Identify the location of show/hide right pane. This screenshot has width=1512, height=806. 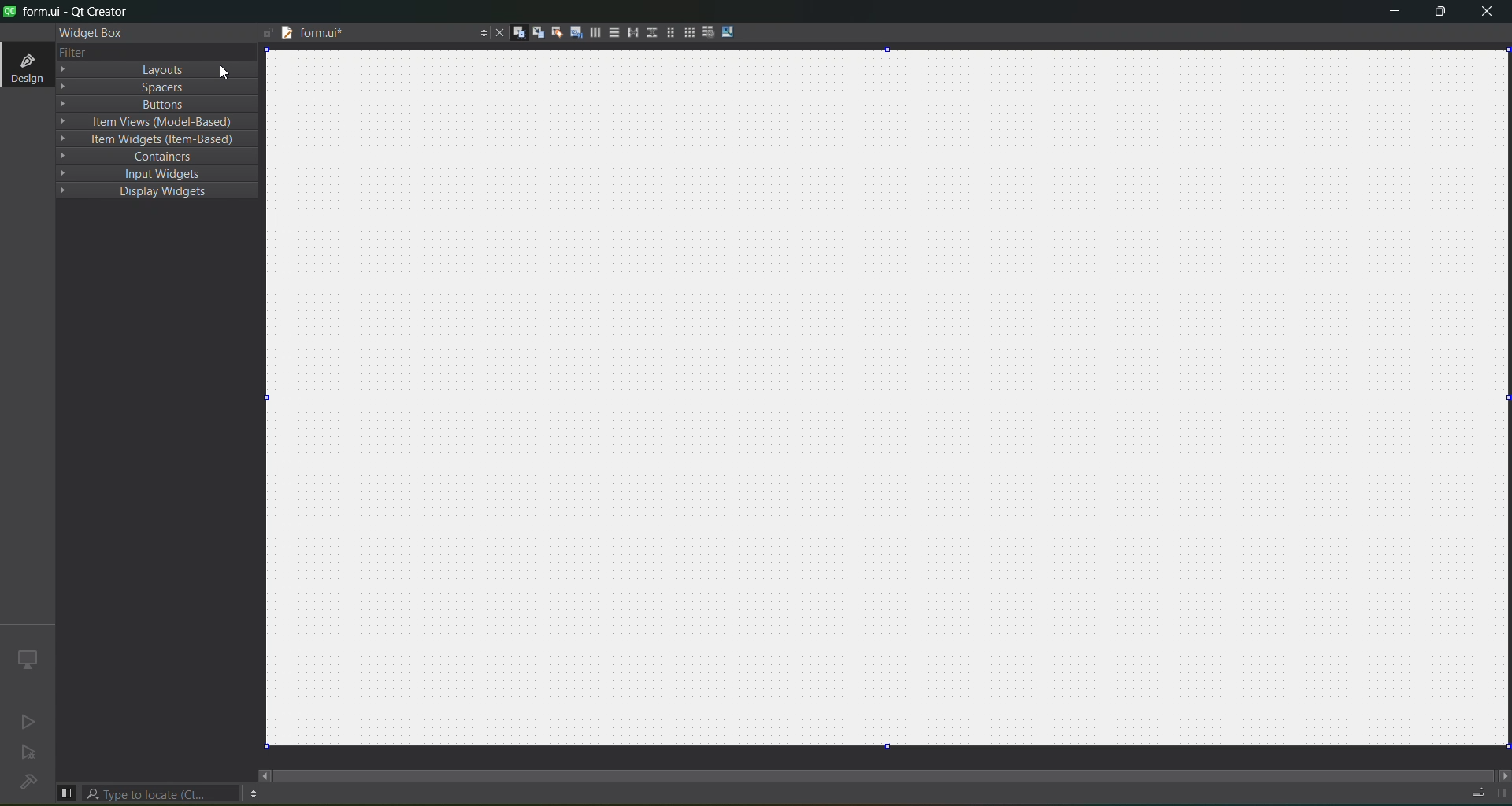
(1501, 793).